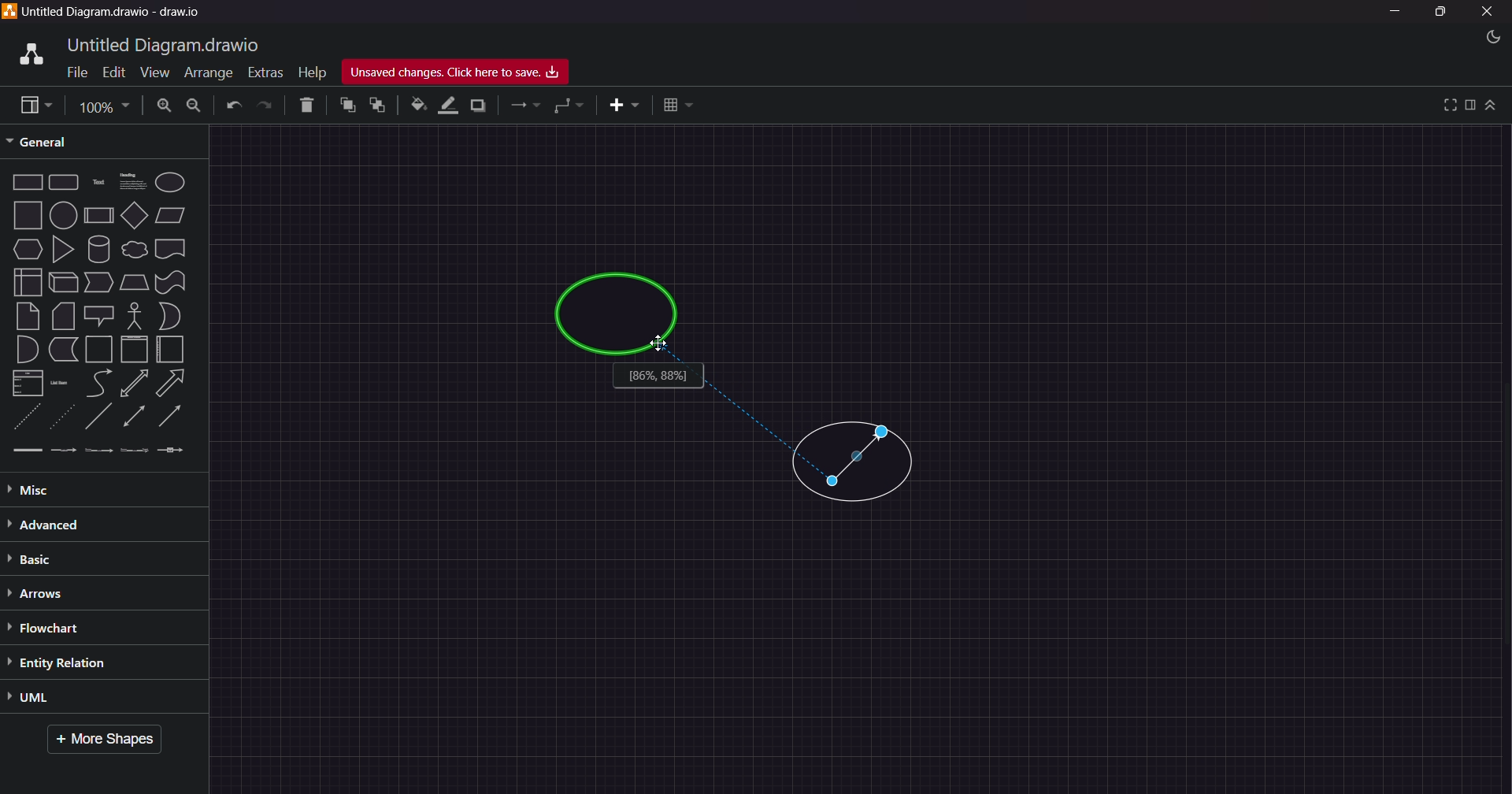  Describe the element at coordinates (28, 52) in the screenshot. I see `logo` at that location.